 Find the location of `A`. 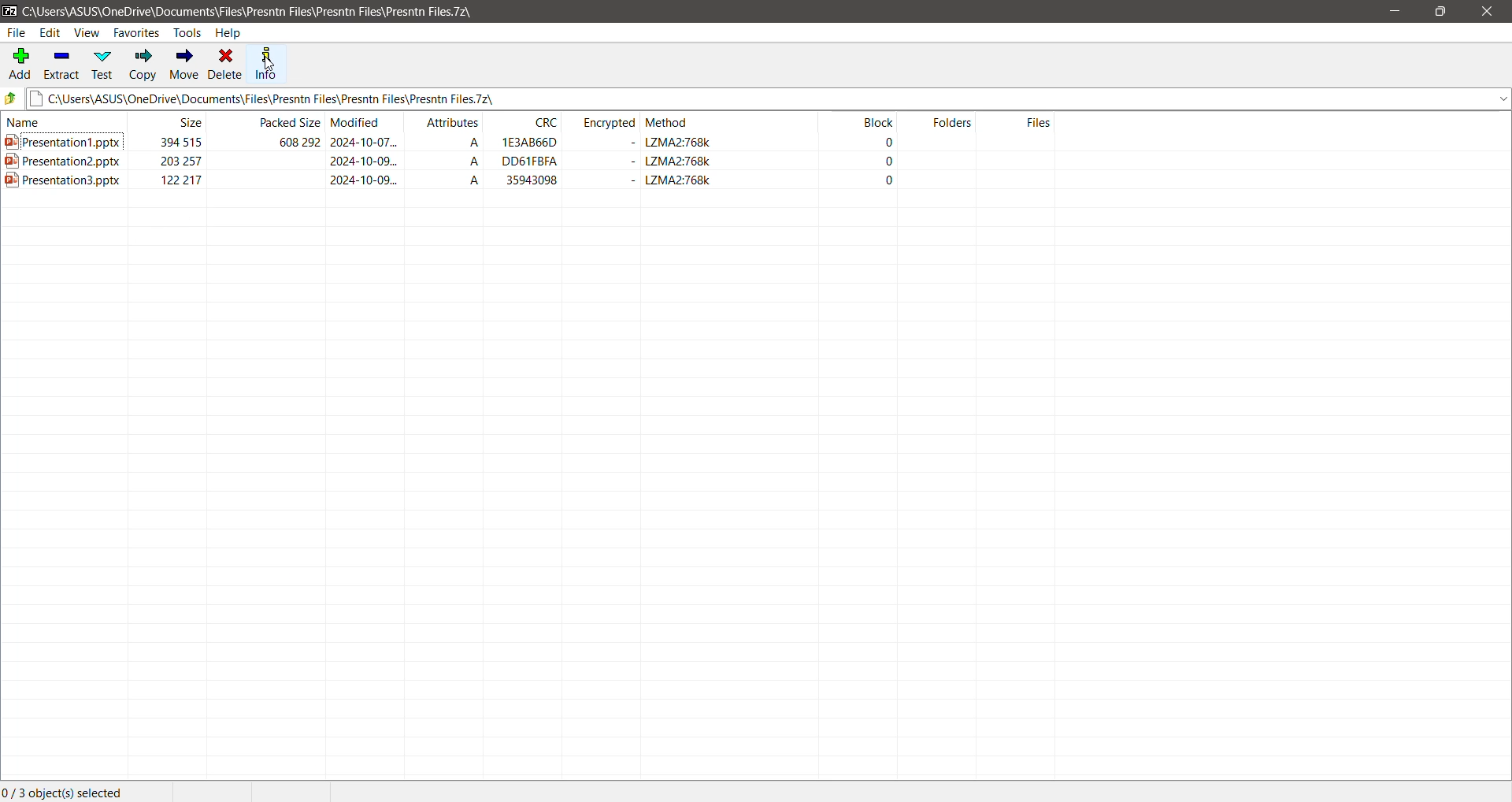

A is located at coordinates (469, 163).